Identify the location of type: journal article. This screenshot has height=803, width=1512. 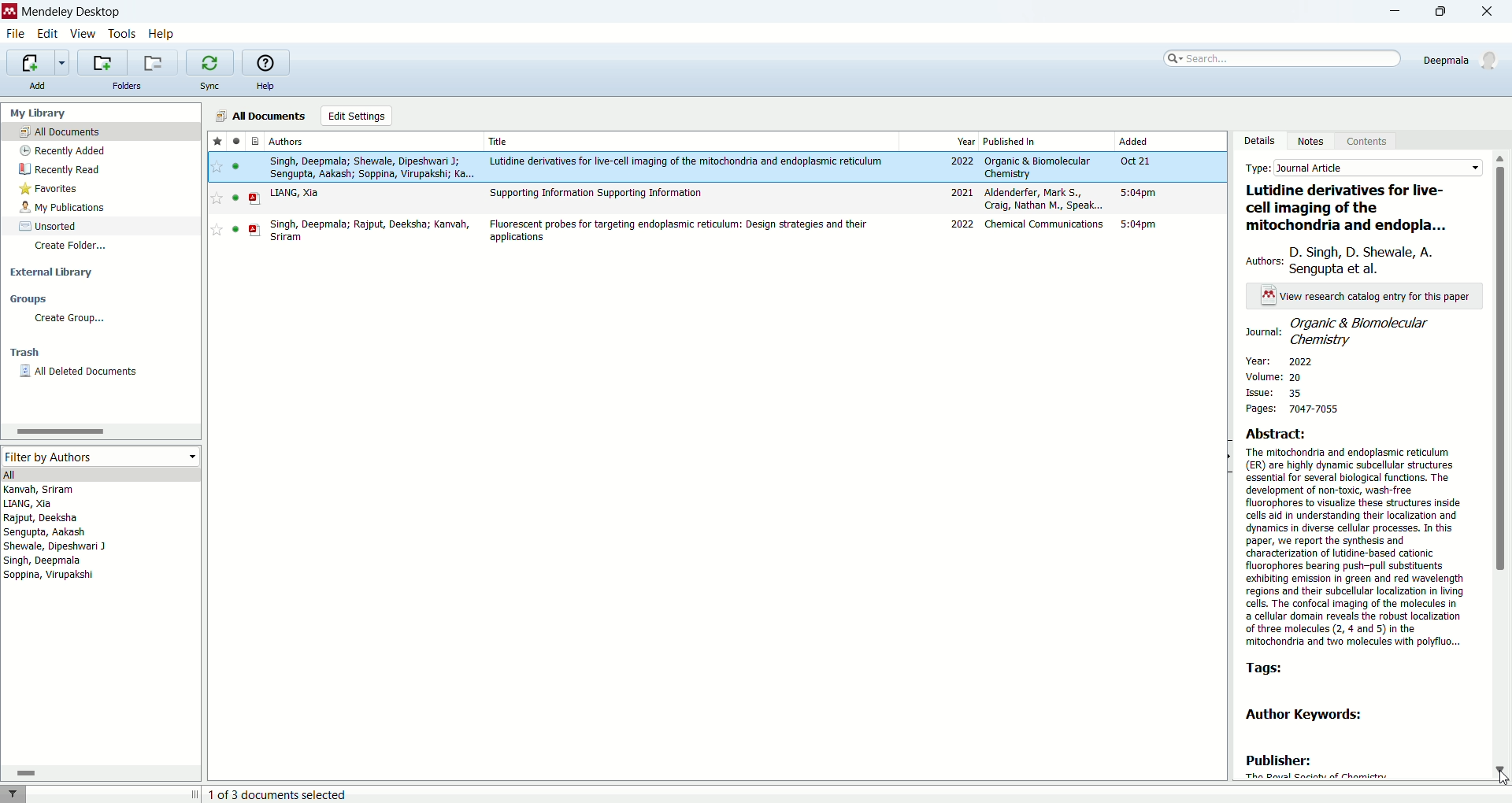
(1363, 166).